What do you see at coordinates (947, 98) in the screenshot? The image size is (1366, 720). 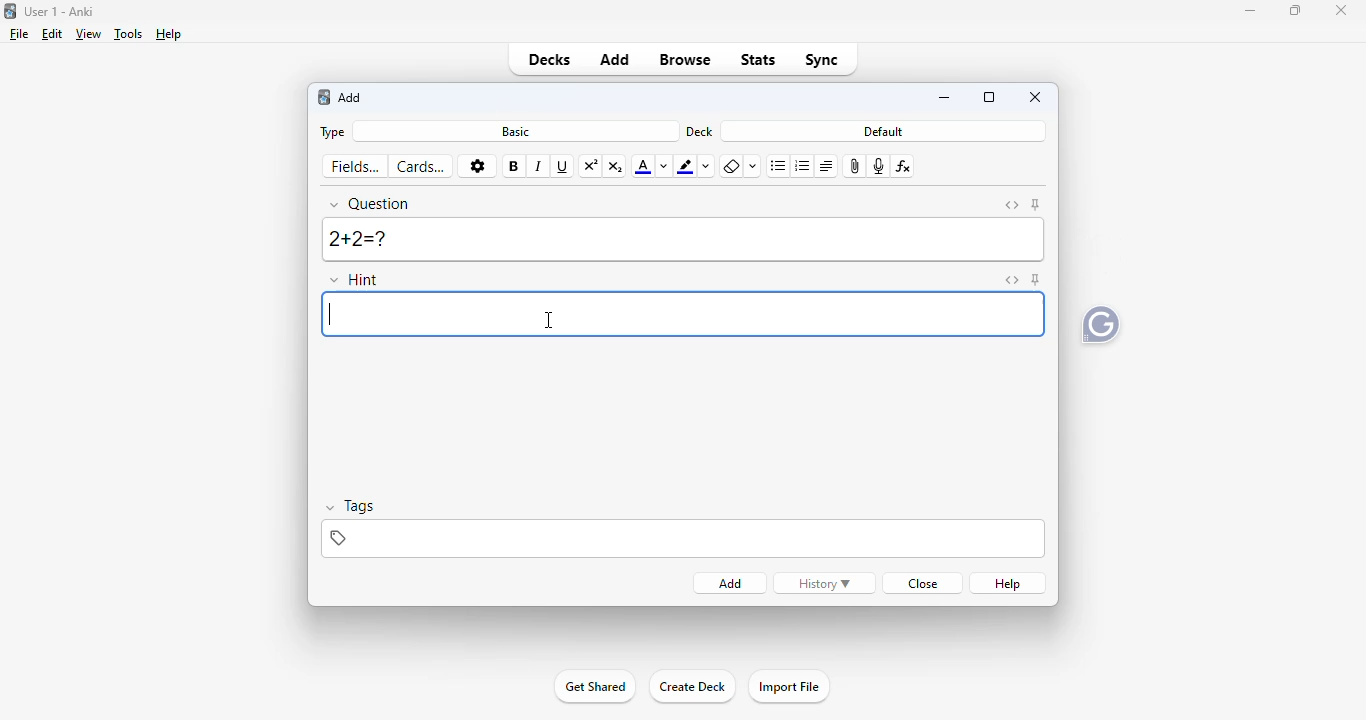 I see `minimize` at bounding box center [947, 98].